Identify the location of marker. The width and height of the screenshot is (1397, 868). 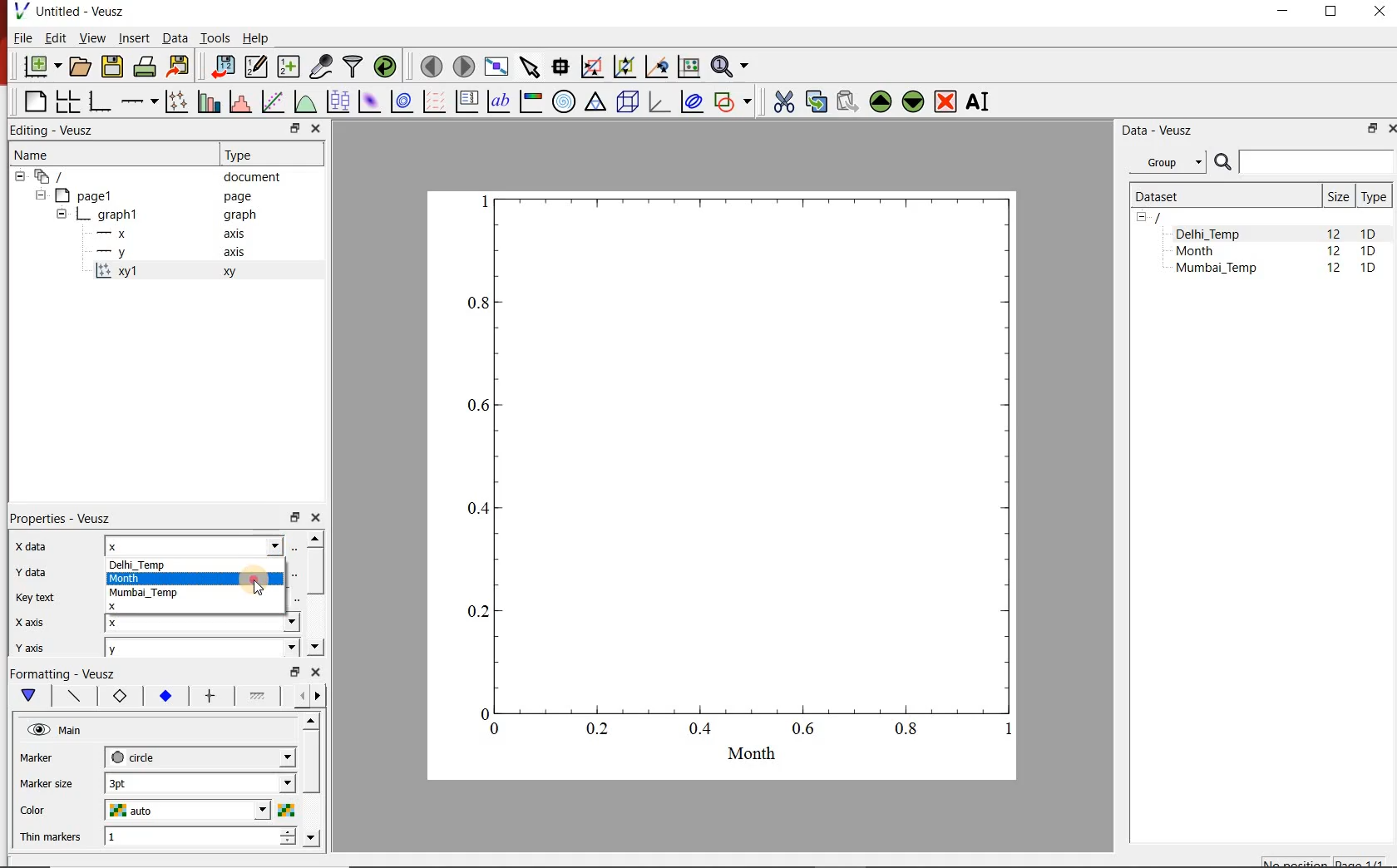
(49, 757).